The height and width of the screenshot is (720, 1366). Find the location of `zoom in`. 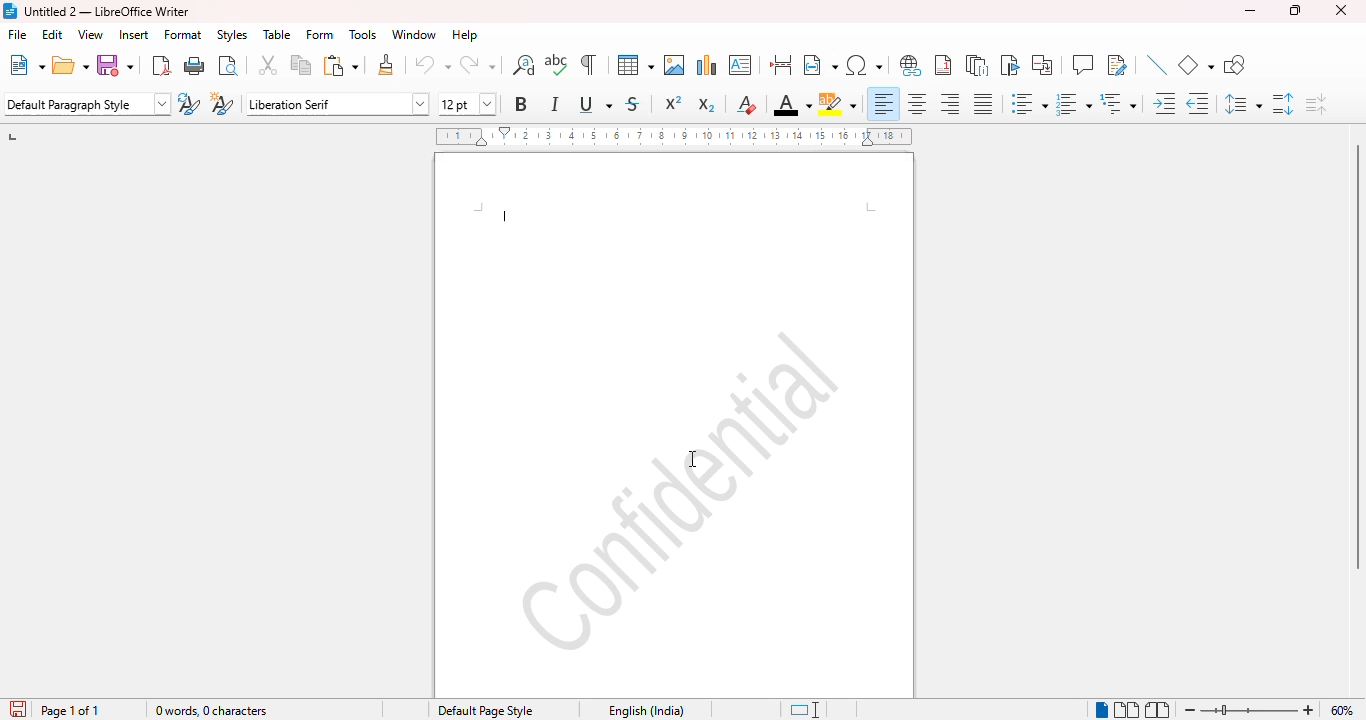

zoom in is located at coordinates (1309, 709).